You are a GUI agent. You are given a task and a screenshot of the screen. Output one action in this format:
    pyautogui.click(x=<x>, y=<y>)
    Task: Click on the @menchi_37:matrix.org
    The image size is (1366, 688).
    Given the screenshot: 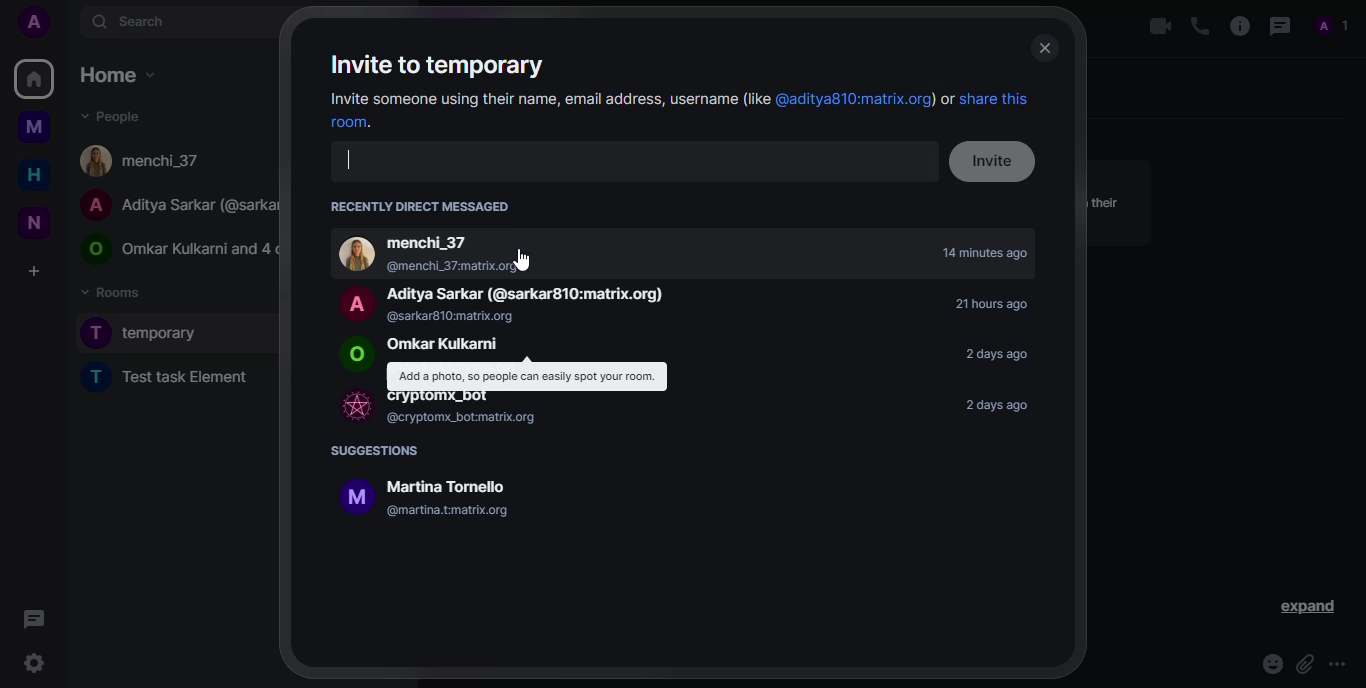 What is the action you would take?
    pyautogui.click(x=524, y=263)
    